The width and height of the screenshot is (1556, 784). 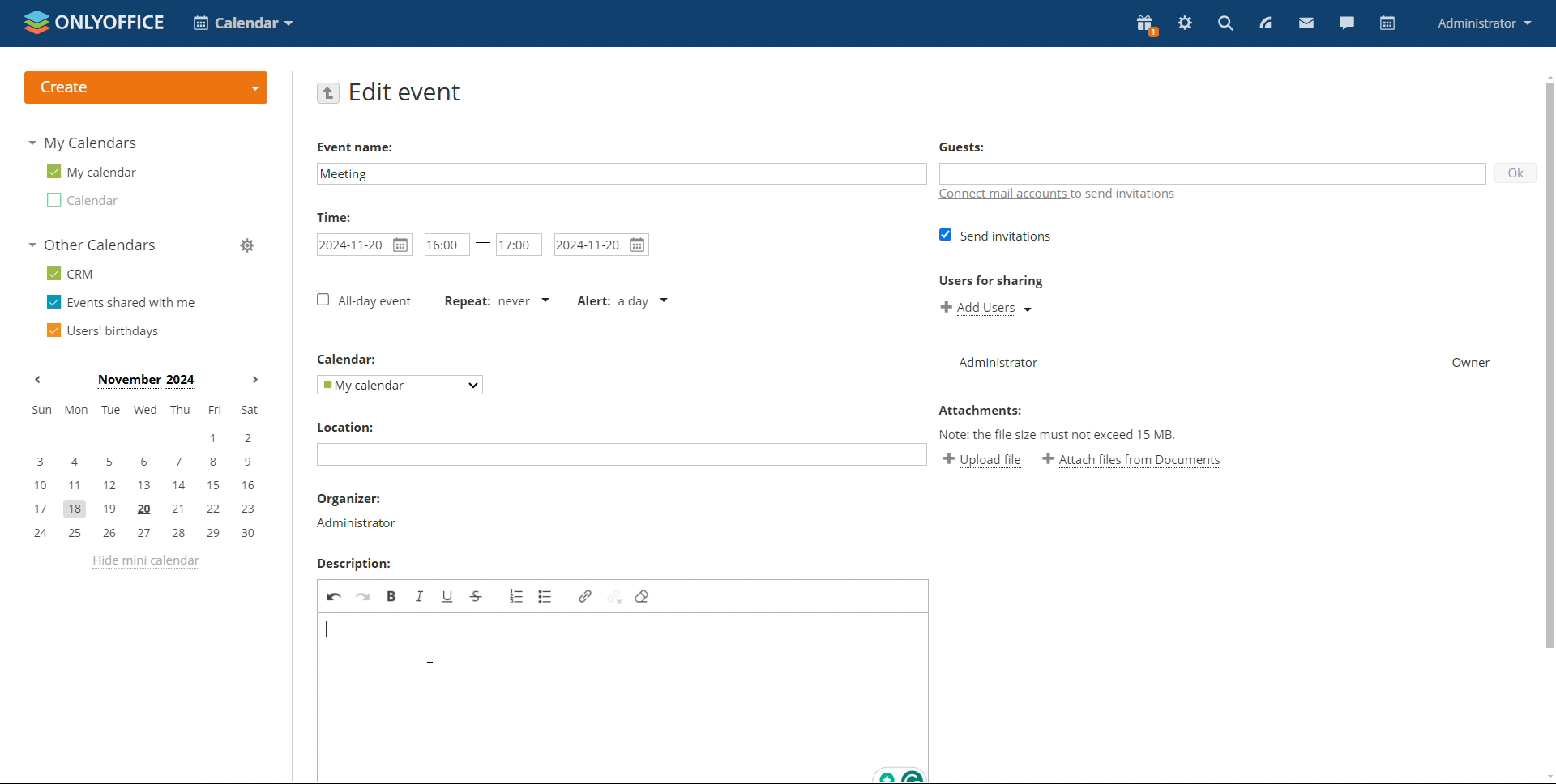 I want to click on undo, so click(x=334, y=596).